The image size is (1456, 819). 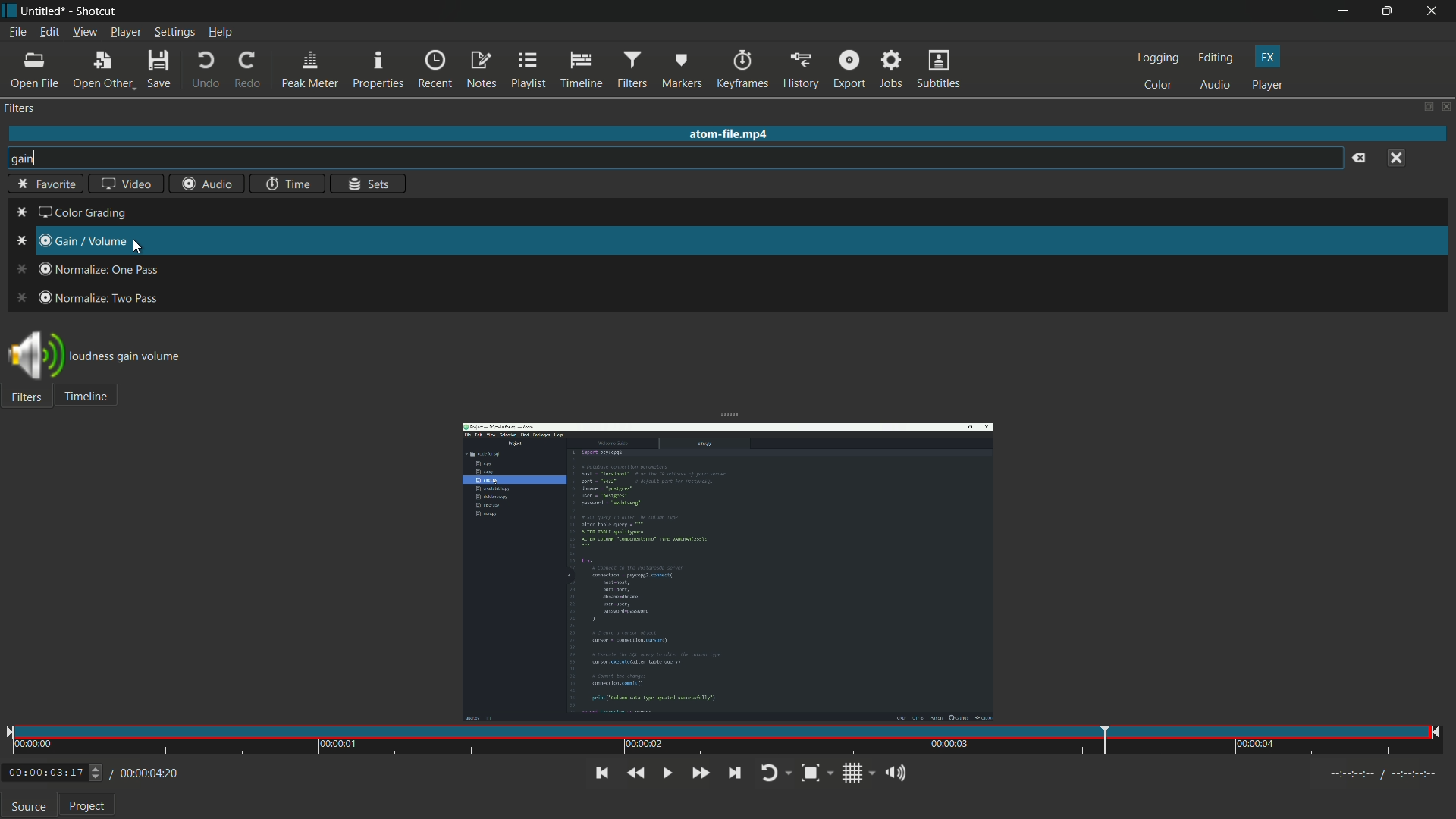 I want to click on skip to the previous point, so click(x=601, y=773).